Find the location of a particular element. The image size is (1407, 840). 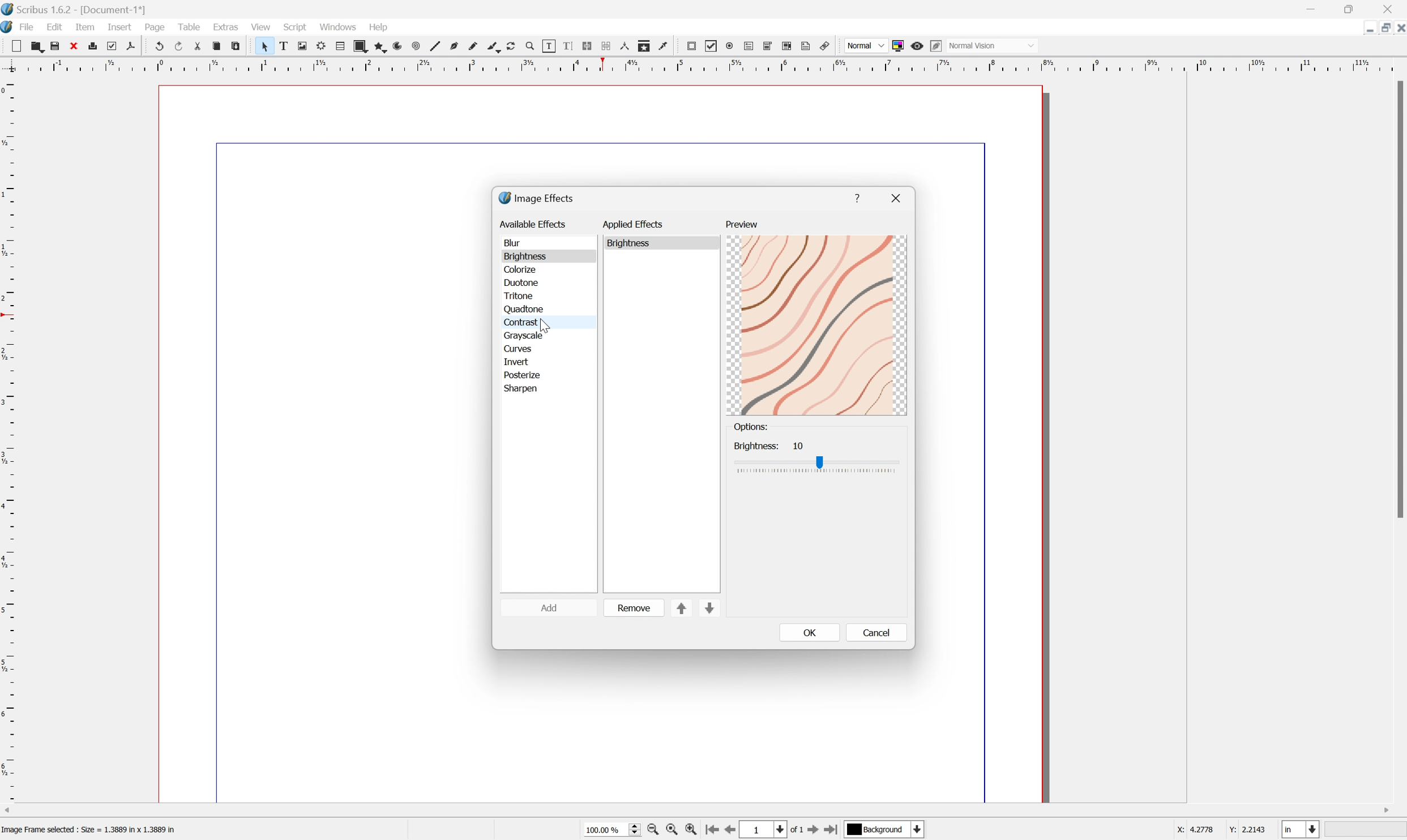

File is located at coordinates (28, 27).